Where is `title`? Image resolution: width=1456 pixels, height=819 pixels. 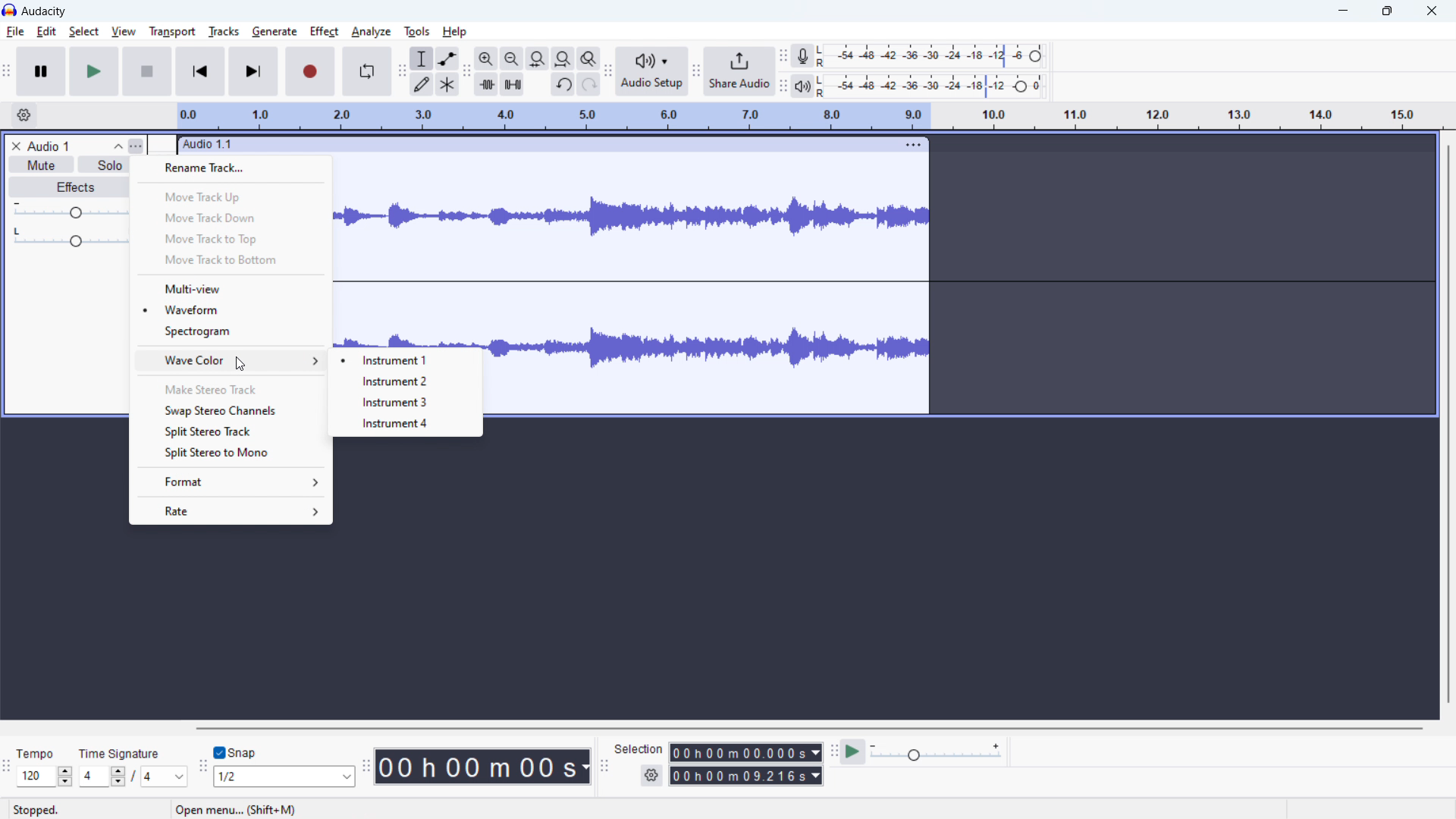 title is located at coordinates (45, 11).